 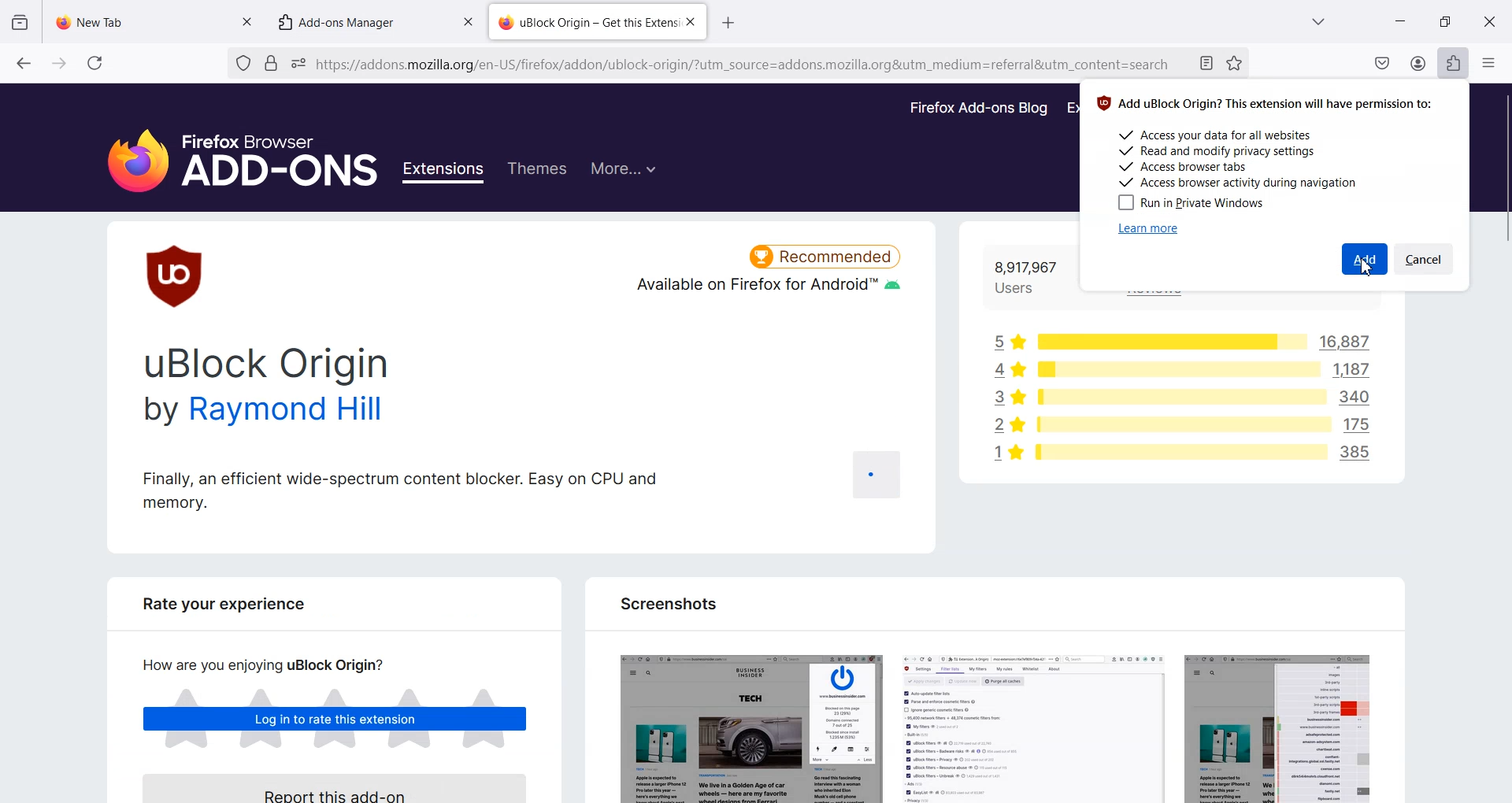 I want to click on uBlock Origin by Raymond Hill, so click(x=270, y=388).